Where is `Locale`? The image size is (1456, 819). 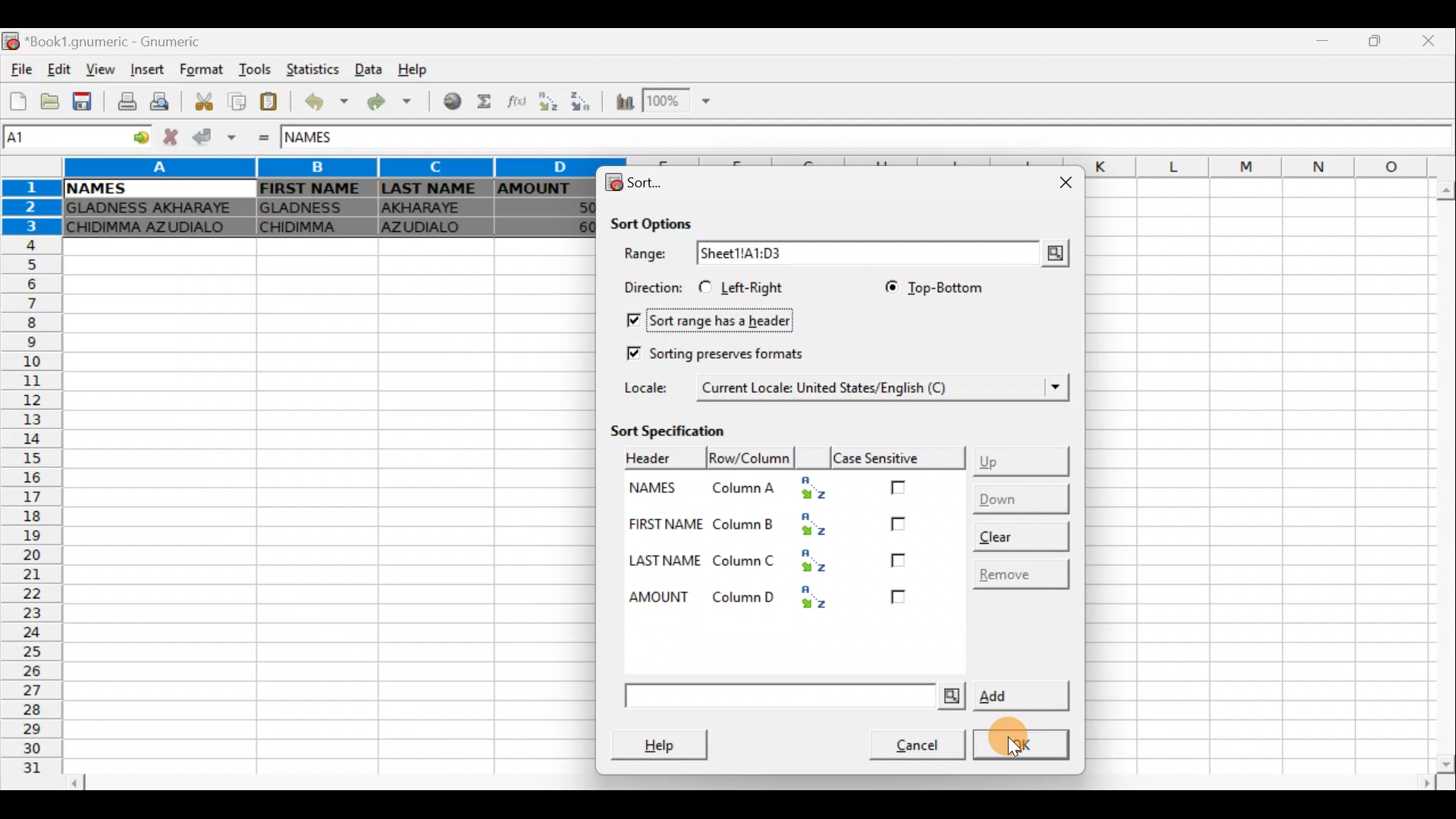
Locale is located at coordinates (651, 387).